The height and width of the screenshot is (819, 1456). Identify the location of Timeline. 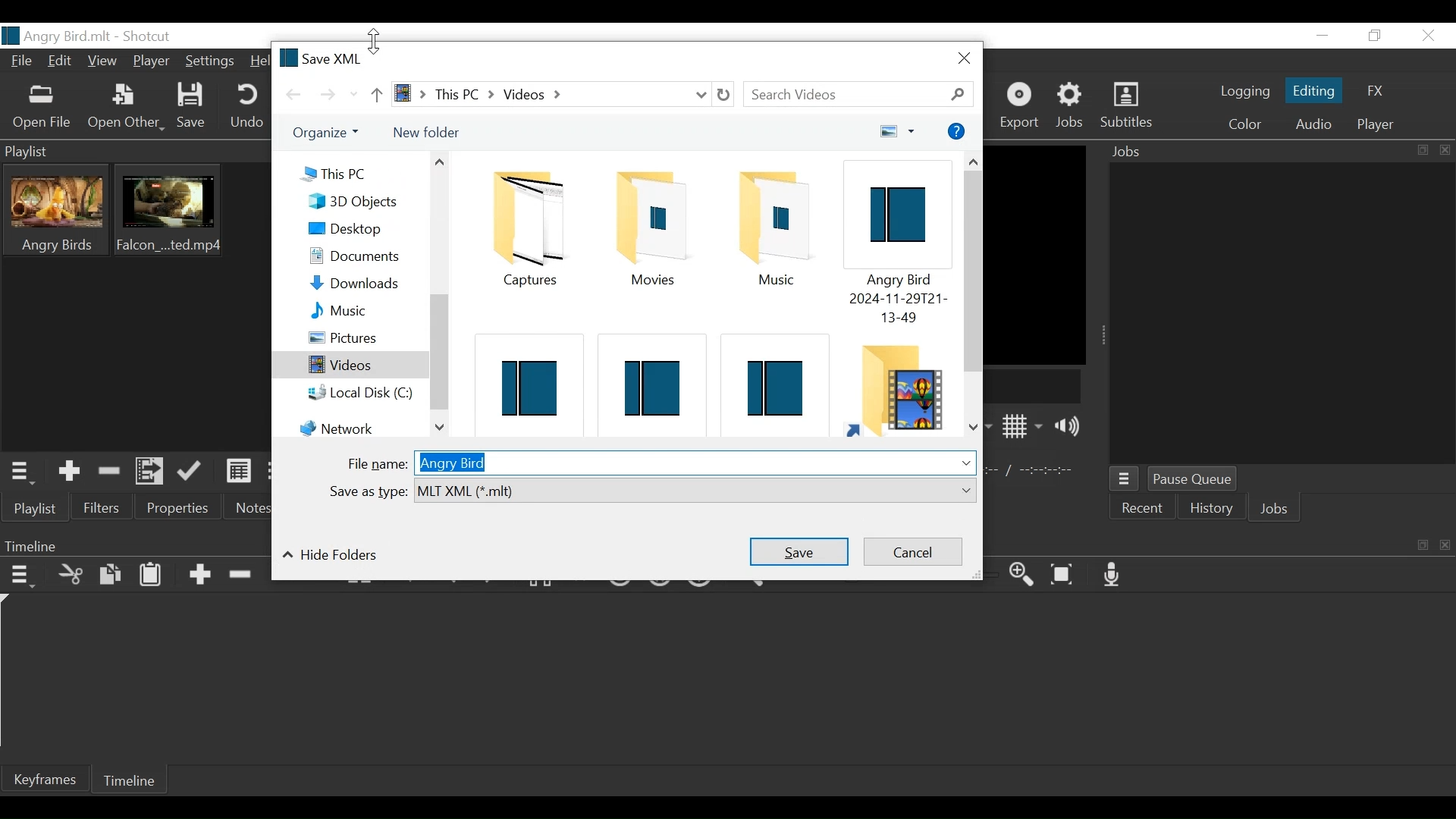
(136, 780).